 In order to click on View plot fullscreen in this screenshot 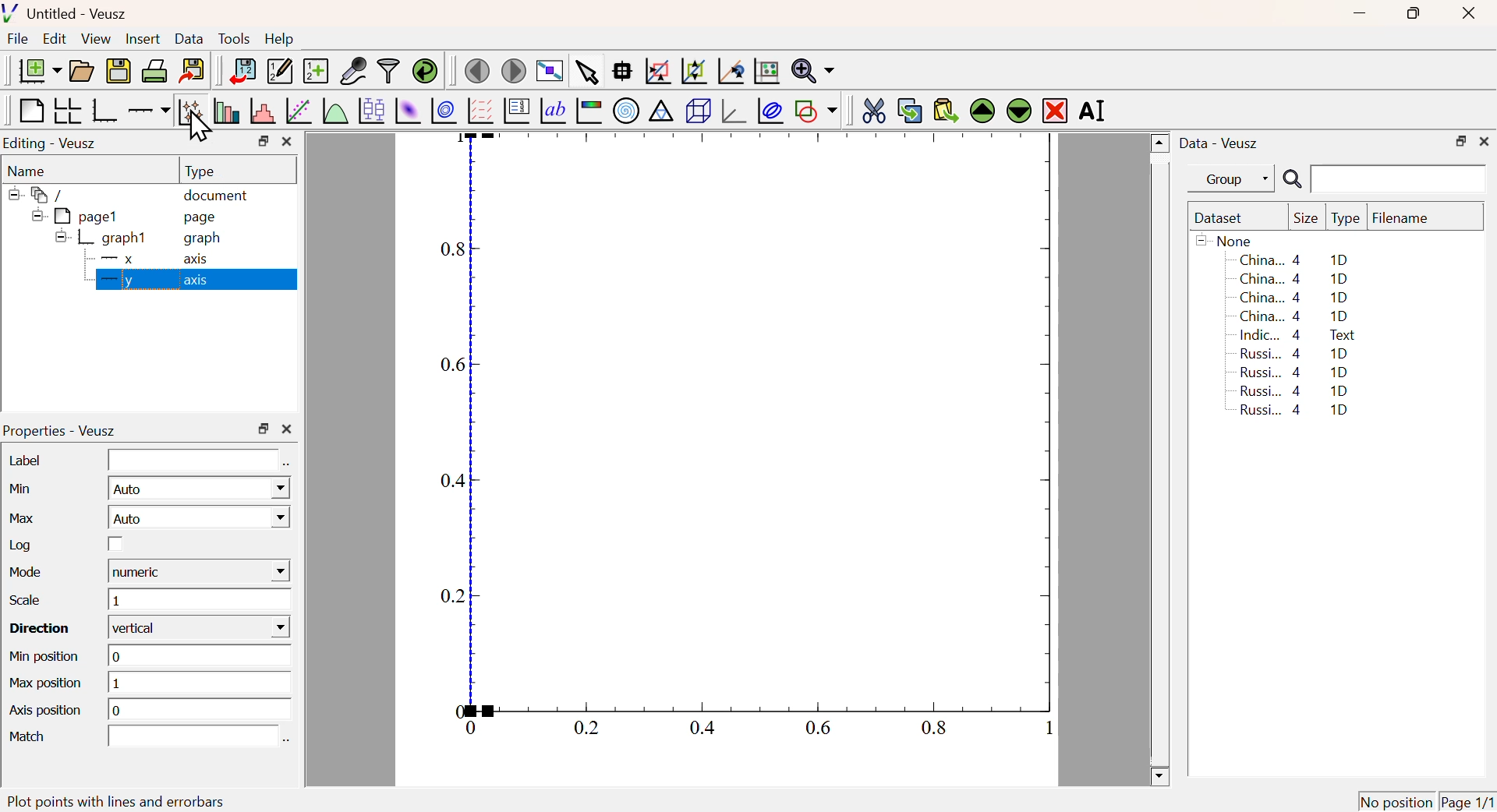, I will do `click(547, 72)`.